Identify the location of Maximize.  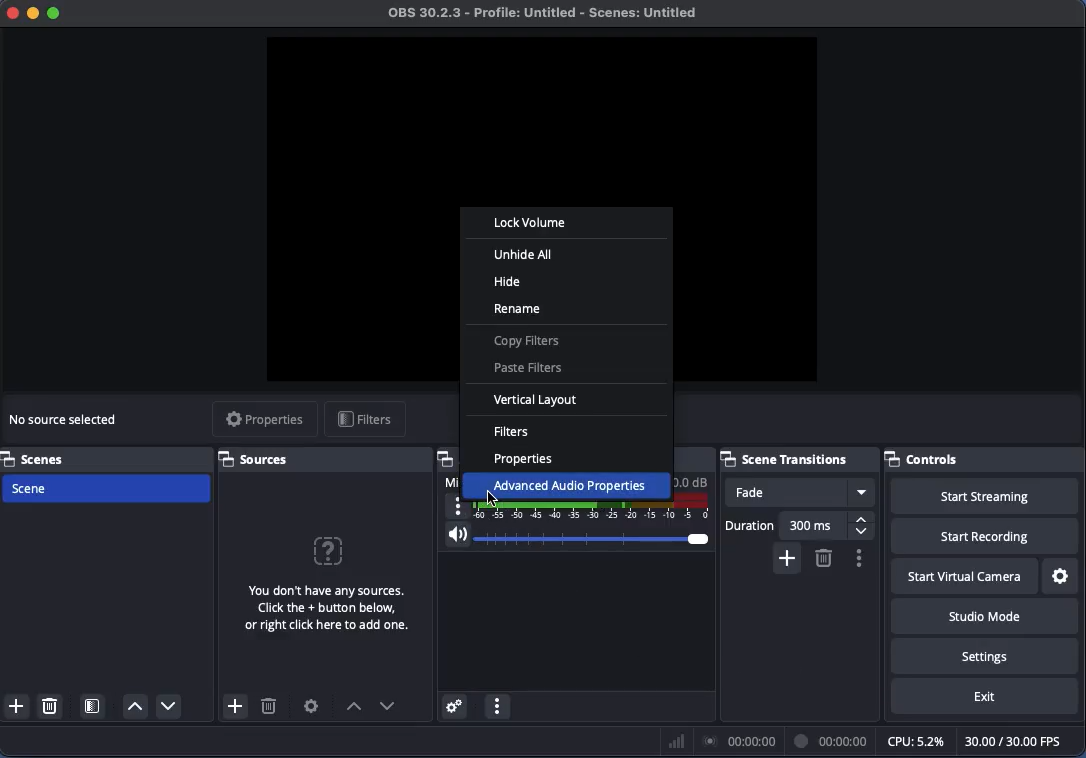
(56, 15).